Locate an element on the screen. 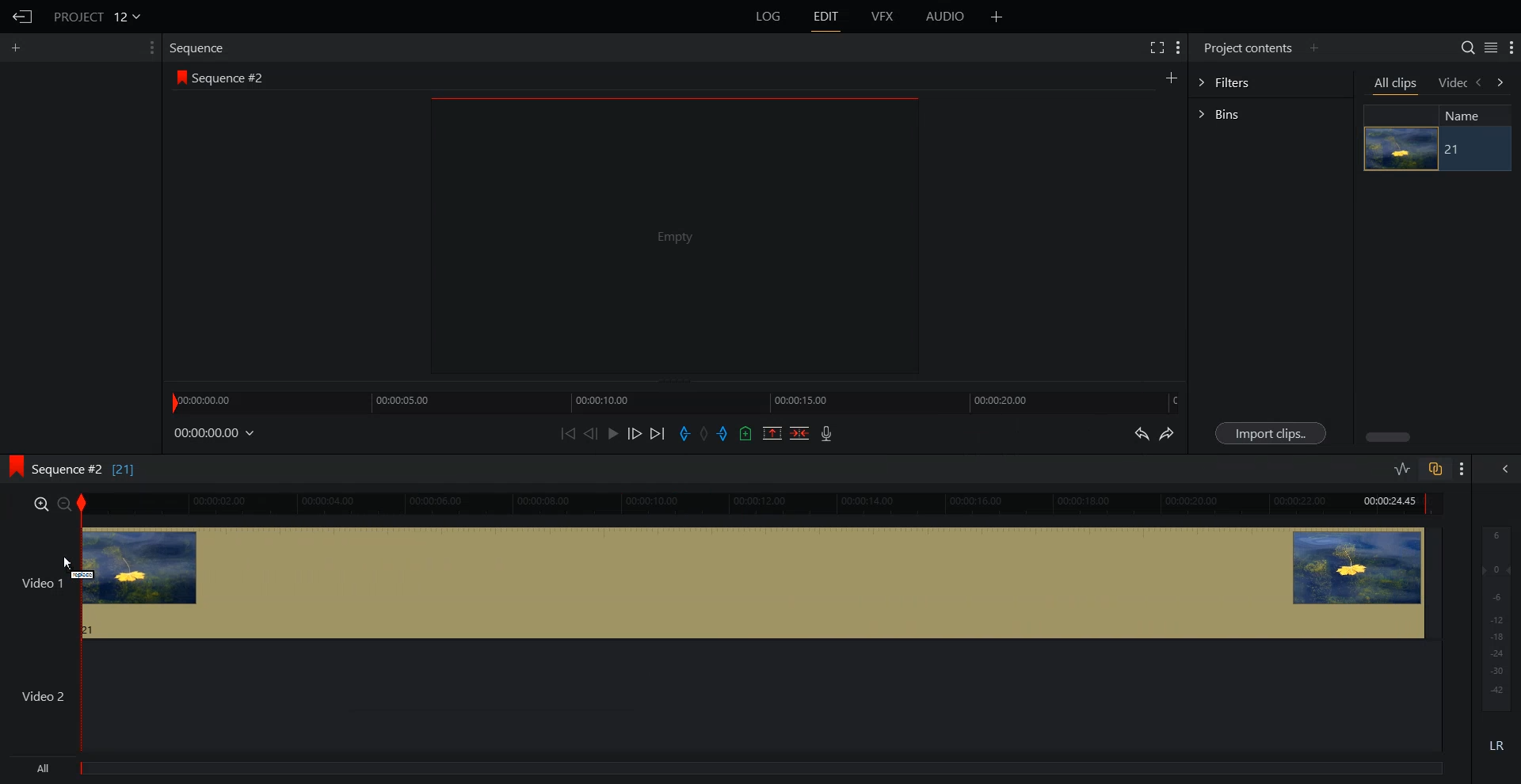  Toggle Audio editing is located at coordinates (1403, 468).